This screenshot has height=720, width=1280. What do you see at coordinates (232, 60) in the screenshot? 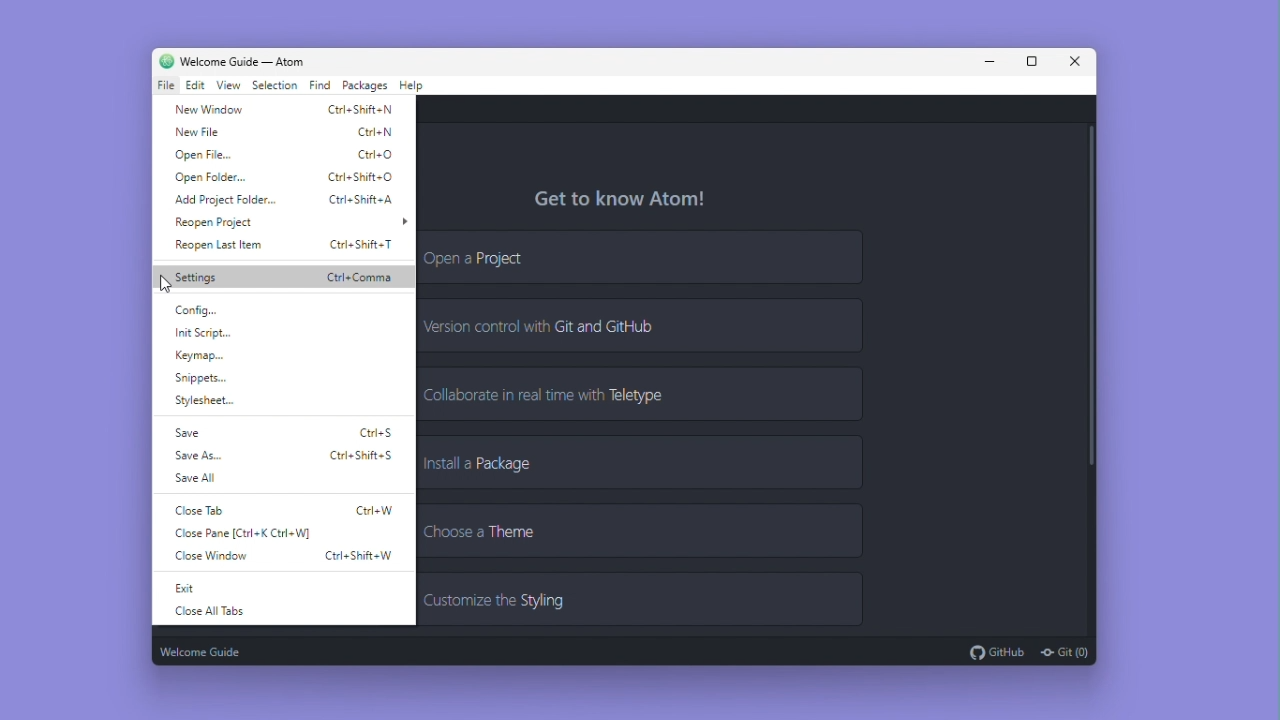
I see `Welcome guide - Atom` at bounding box center [232, 60].